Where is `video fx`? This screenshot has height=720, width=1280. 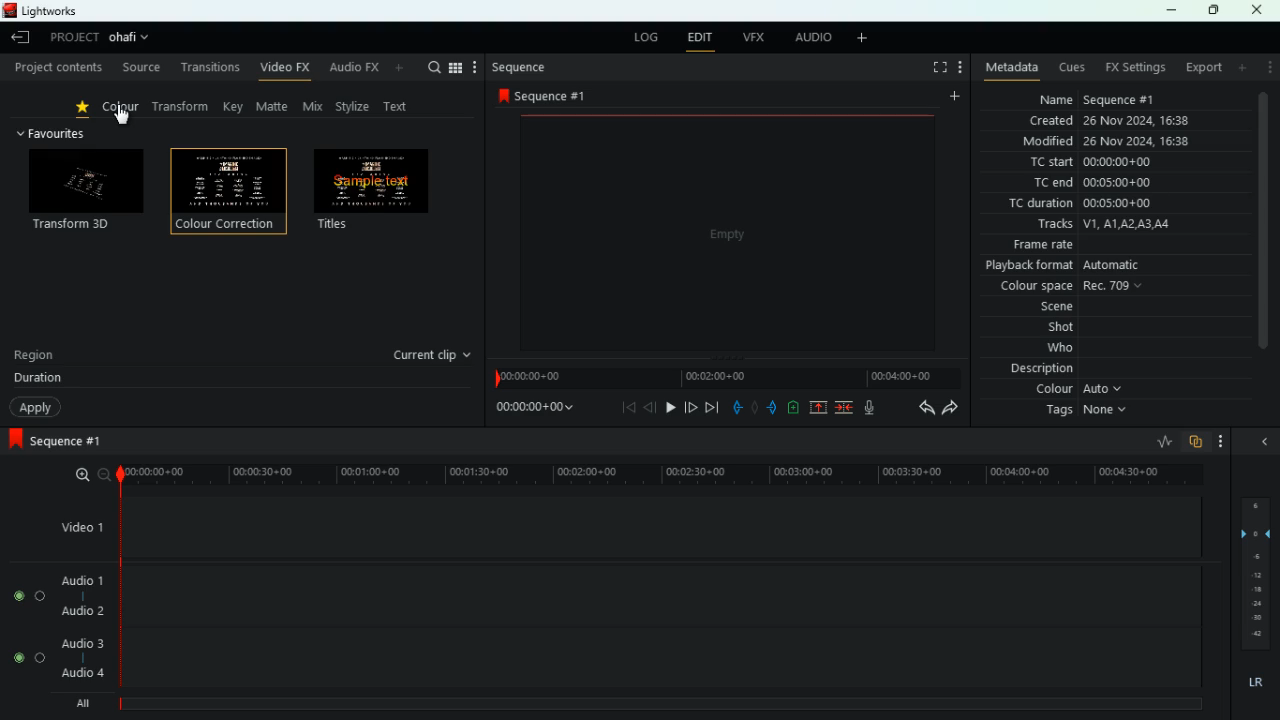
video fx is located at coordinates (286, 69).